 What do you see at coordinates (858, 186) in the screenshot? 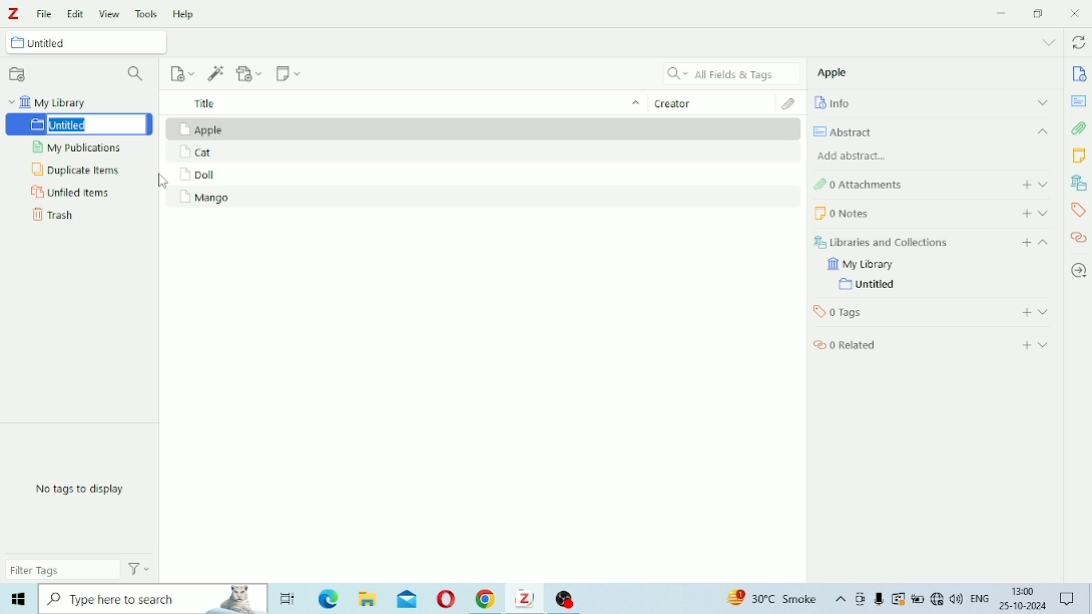
I see `Attachments` at bounding box center [858, 186].